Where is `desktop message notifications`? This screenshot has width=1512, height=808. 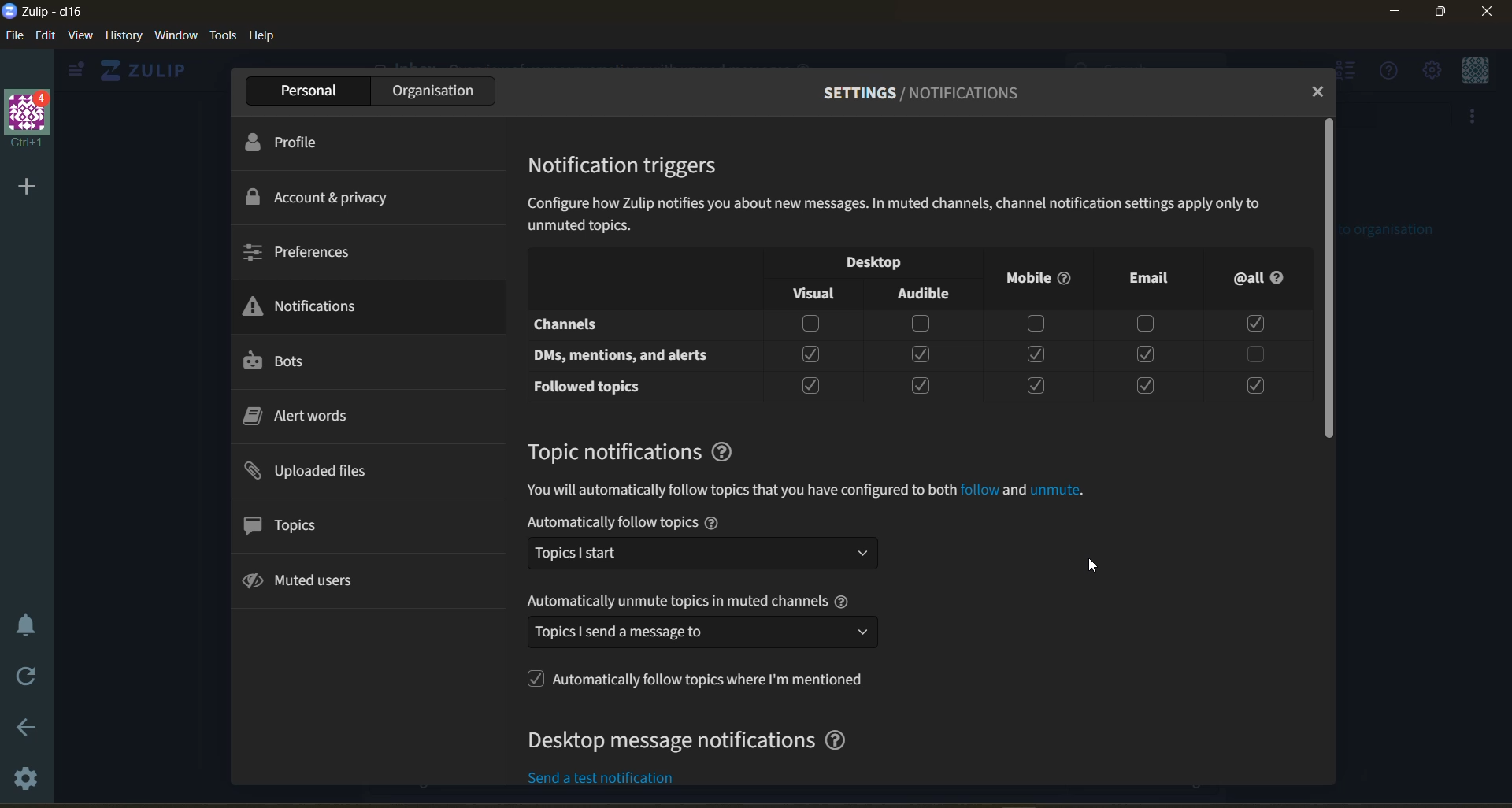 desktop message notifications is located at coordinates (691, 744).